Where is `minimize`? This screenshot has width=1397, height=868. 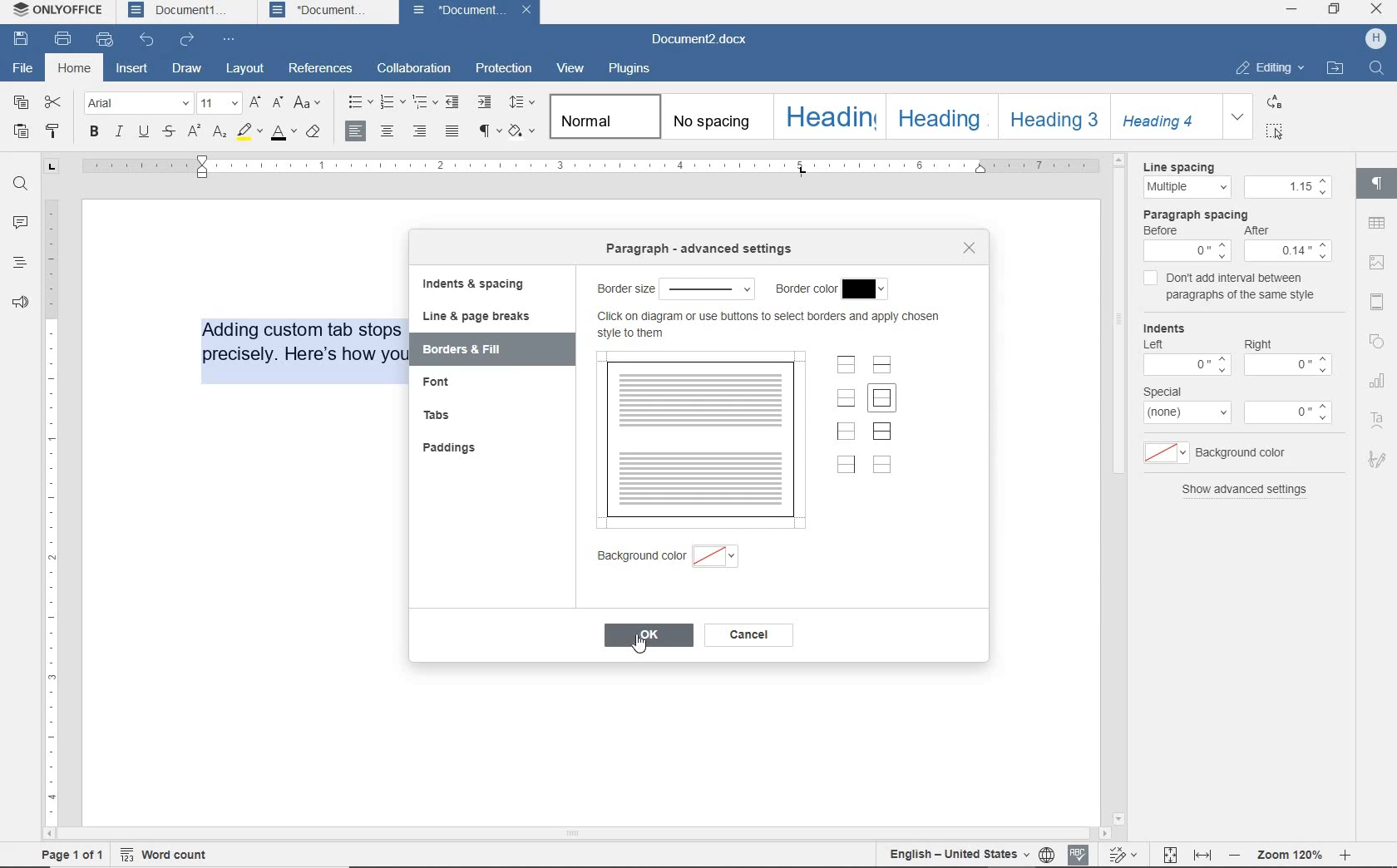
minimize is located at coordinates (1291, 8).